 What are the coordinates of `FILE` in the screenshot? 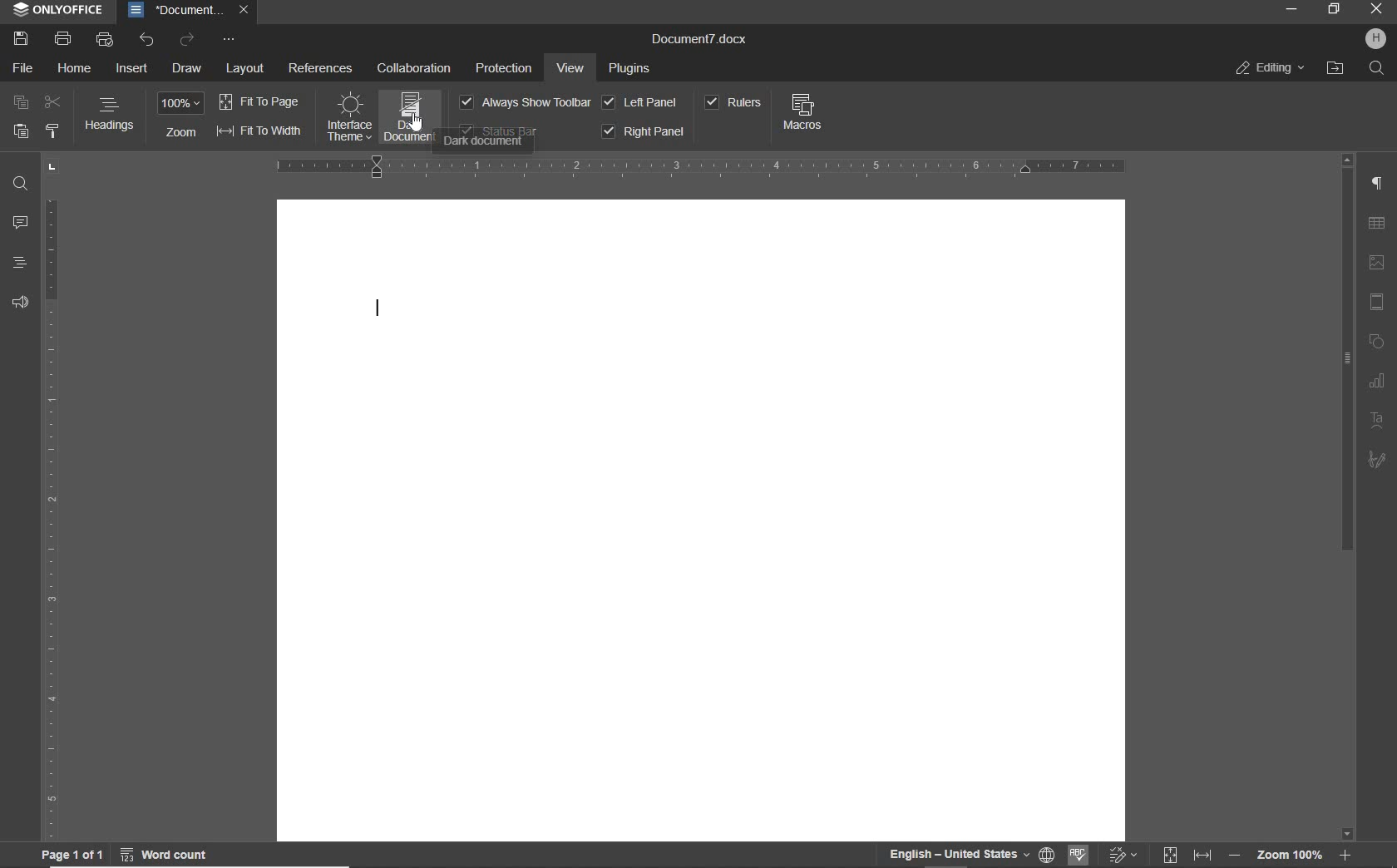 It's located at (22, 71).